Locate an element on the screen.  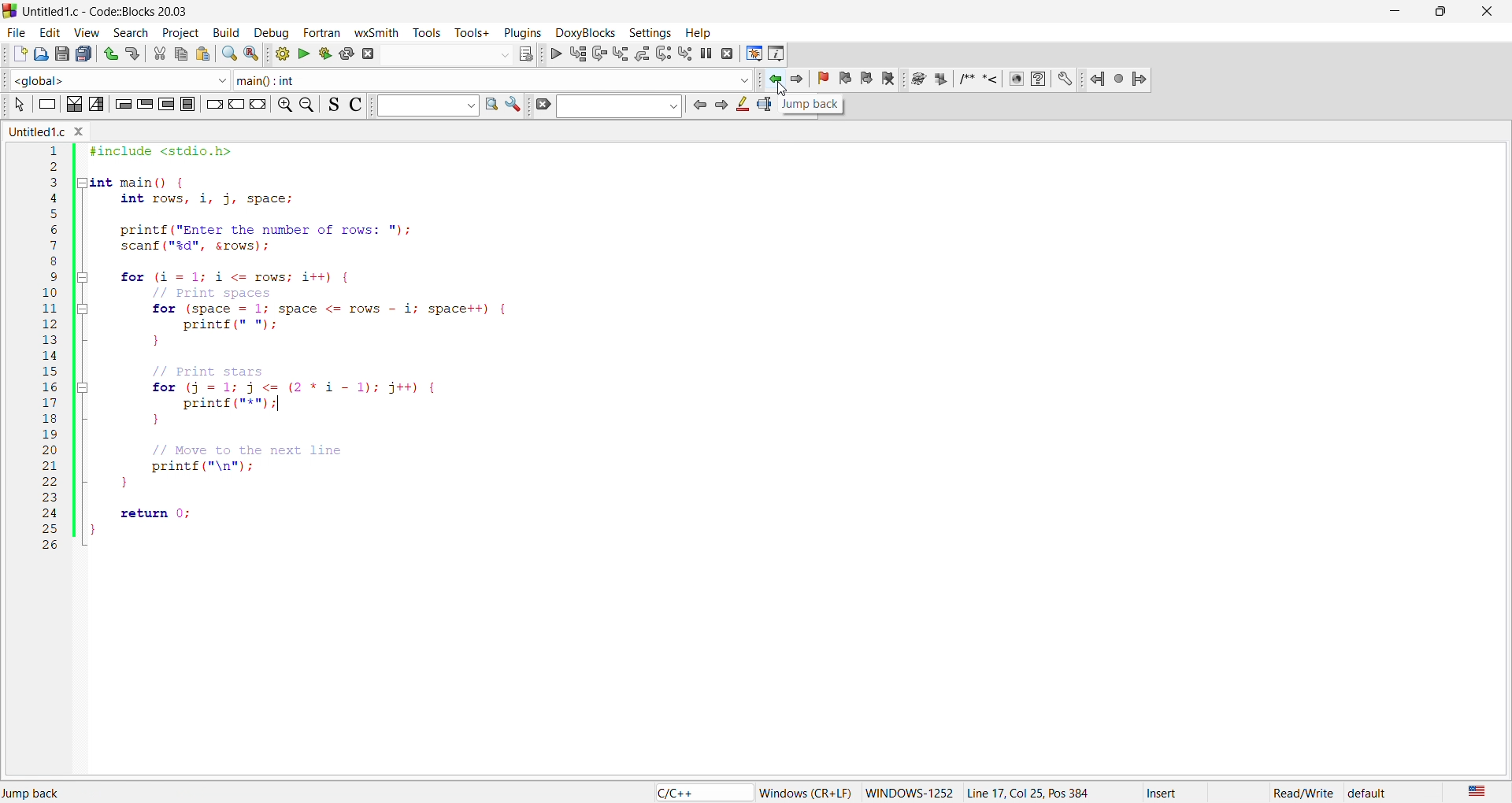
info is located at coordinates (774, 54).